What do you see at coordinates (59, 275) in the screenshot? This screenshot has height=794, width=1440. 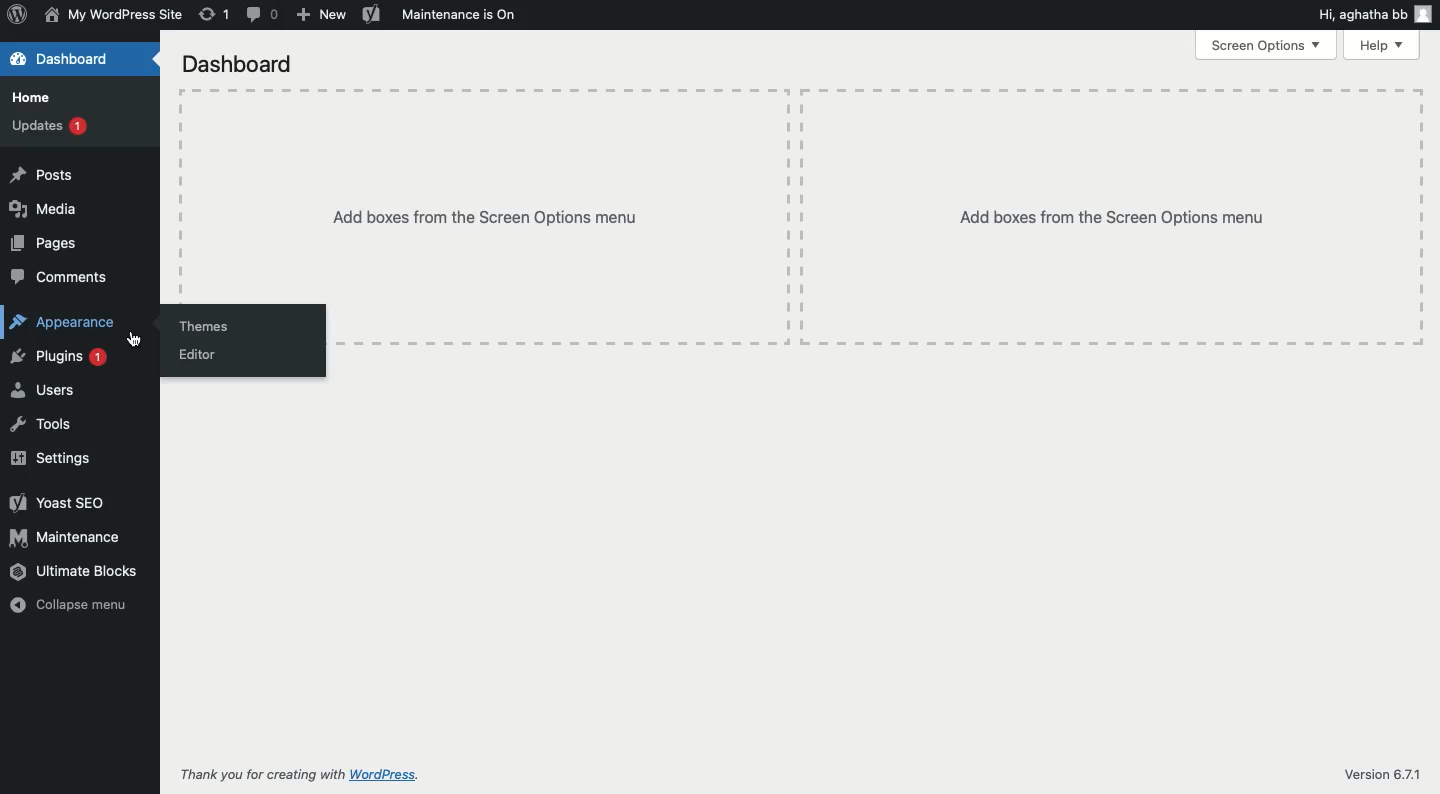 I see `Comments` at bounding box center [59, 275].